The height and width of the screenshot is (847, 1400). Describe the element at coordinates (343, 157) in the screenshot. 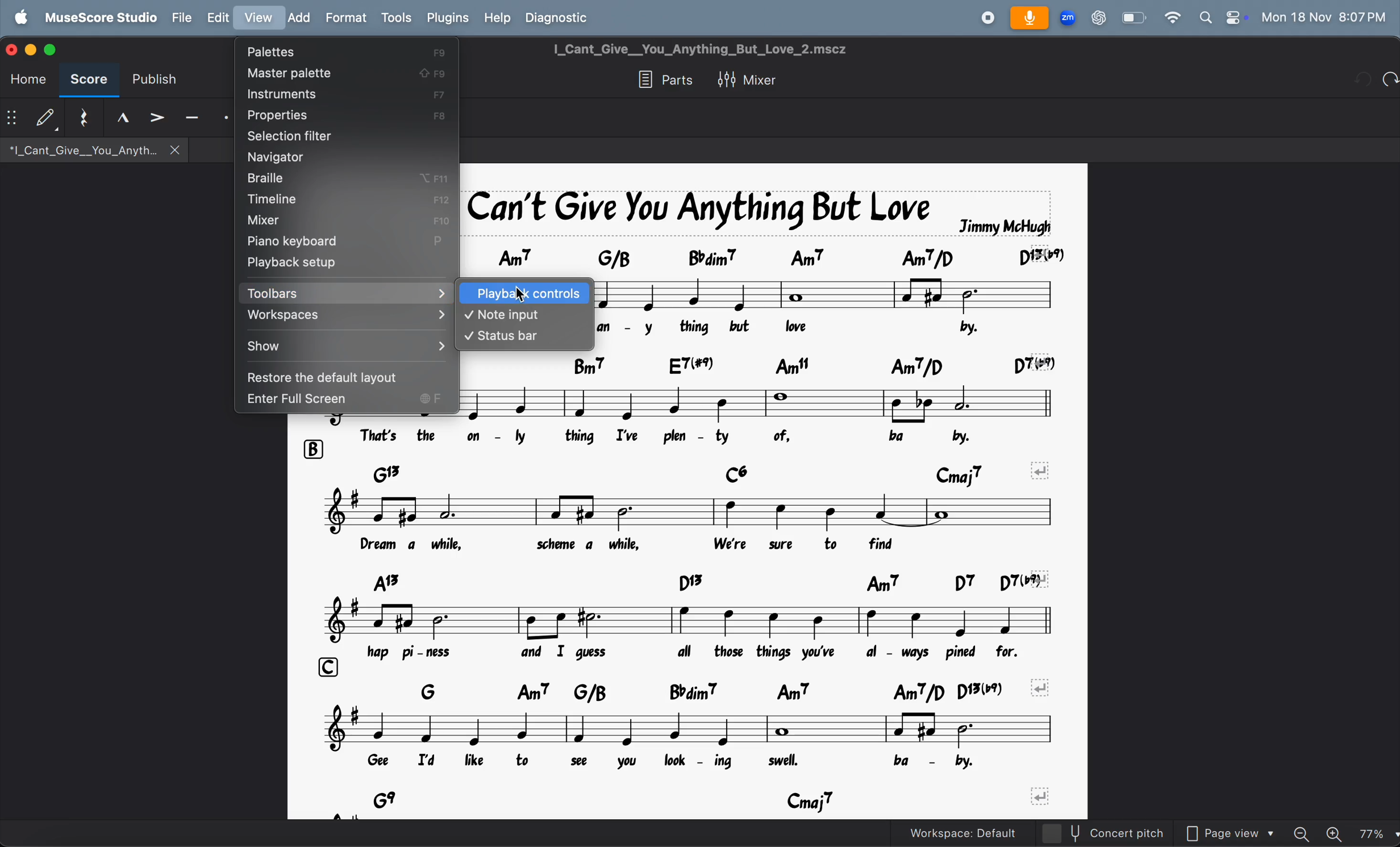

I see `navigator` at that location.